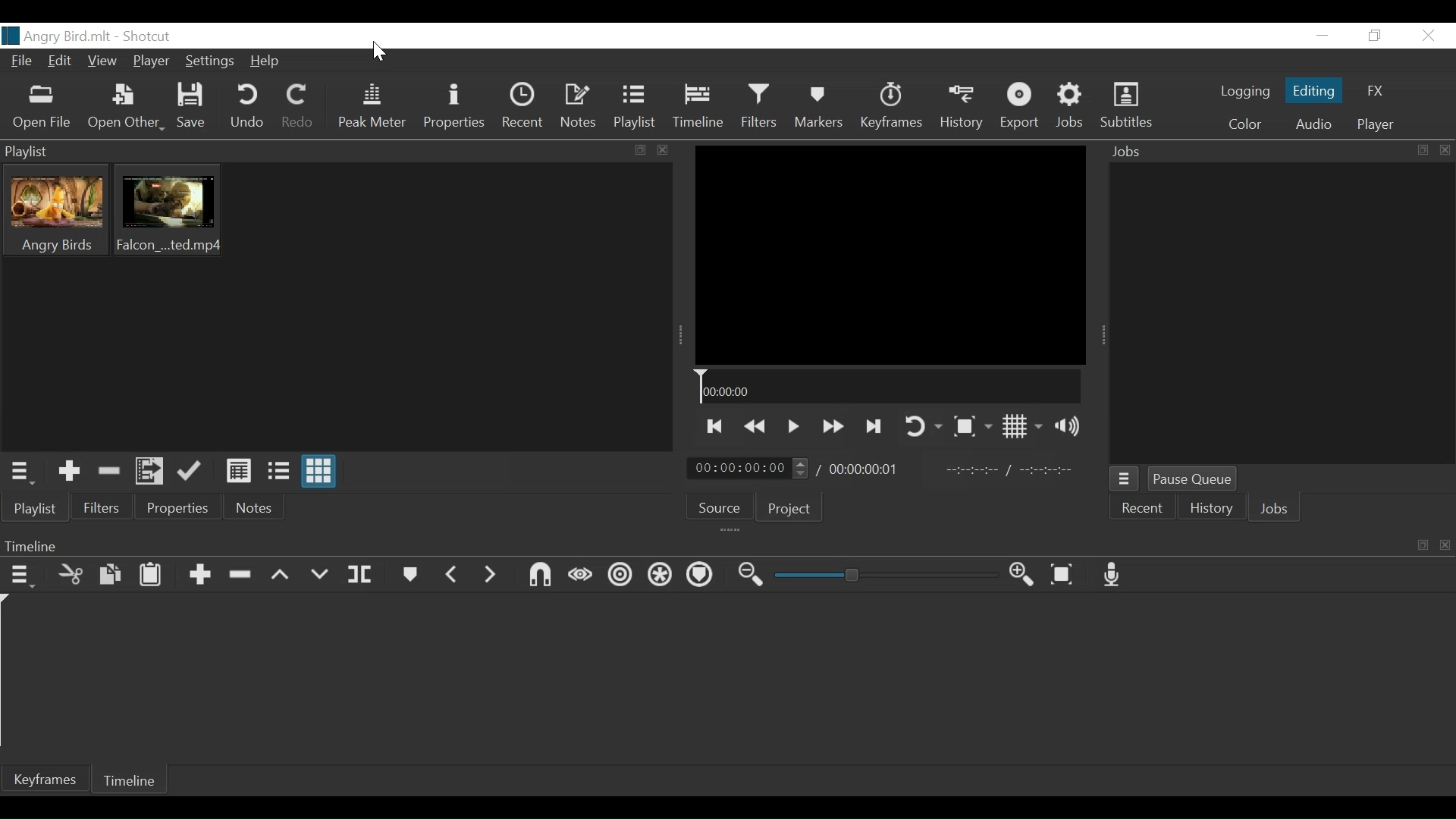 This screenshot has width=1456, height=819. What do you see at coordinates (890, 575) in the screenshot?
I see `Zoom slider` at bounding box center [890, 575].